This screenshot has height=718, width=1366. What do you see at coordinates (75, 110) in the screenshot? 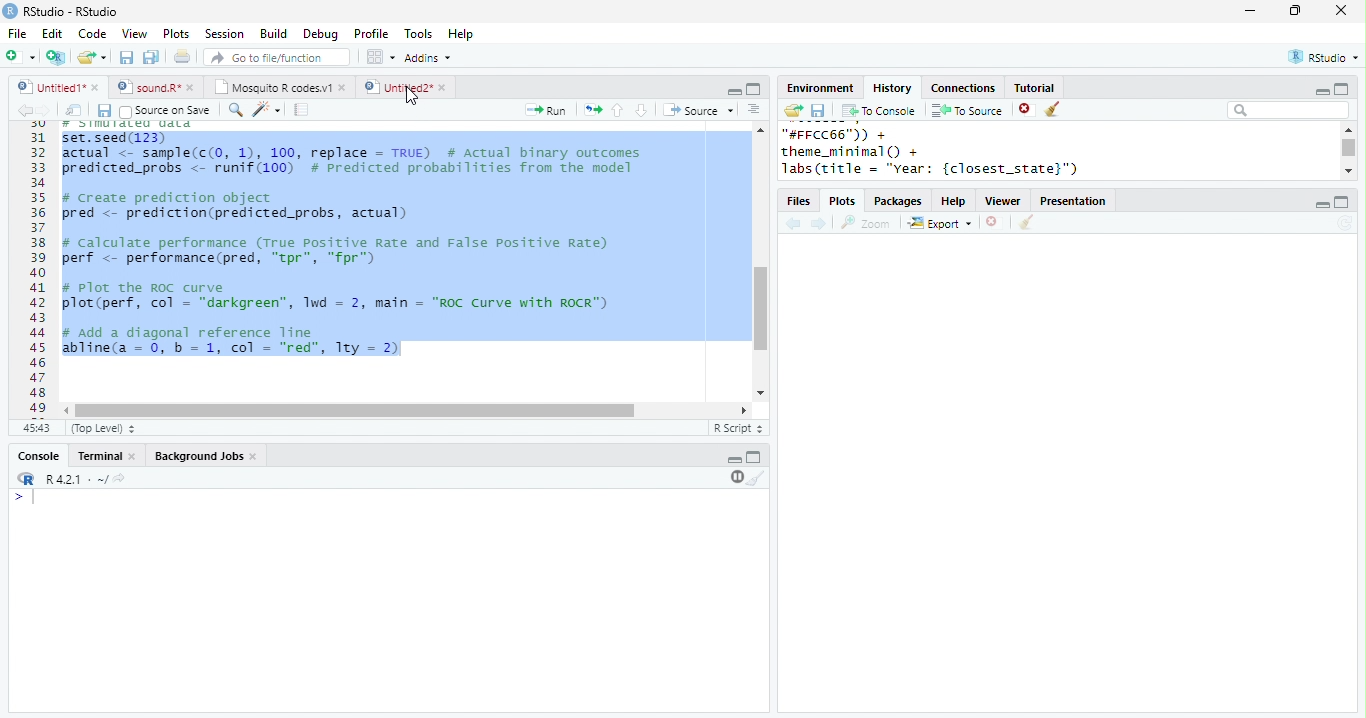
I see `show in new window` at bounding box center [75, 110].